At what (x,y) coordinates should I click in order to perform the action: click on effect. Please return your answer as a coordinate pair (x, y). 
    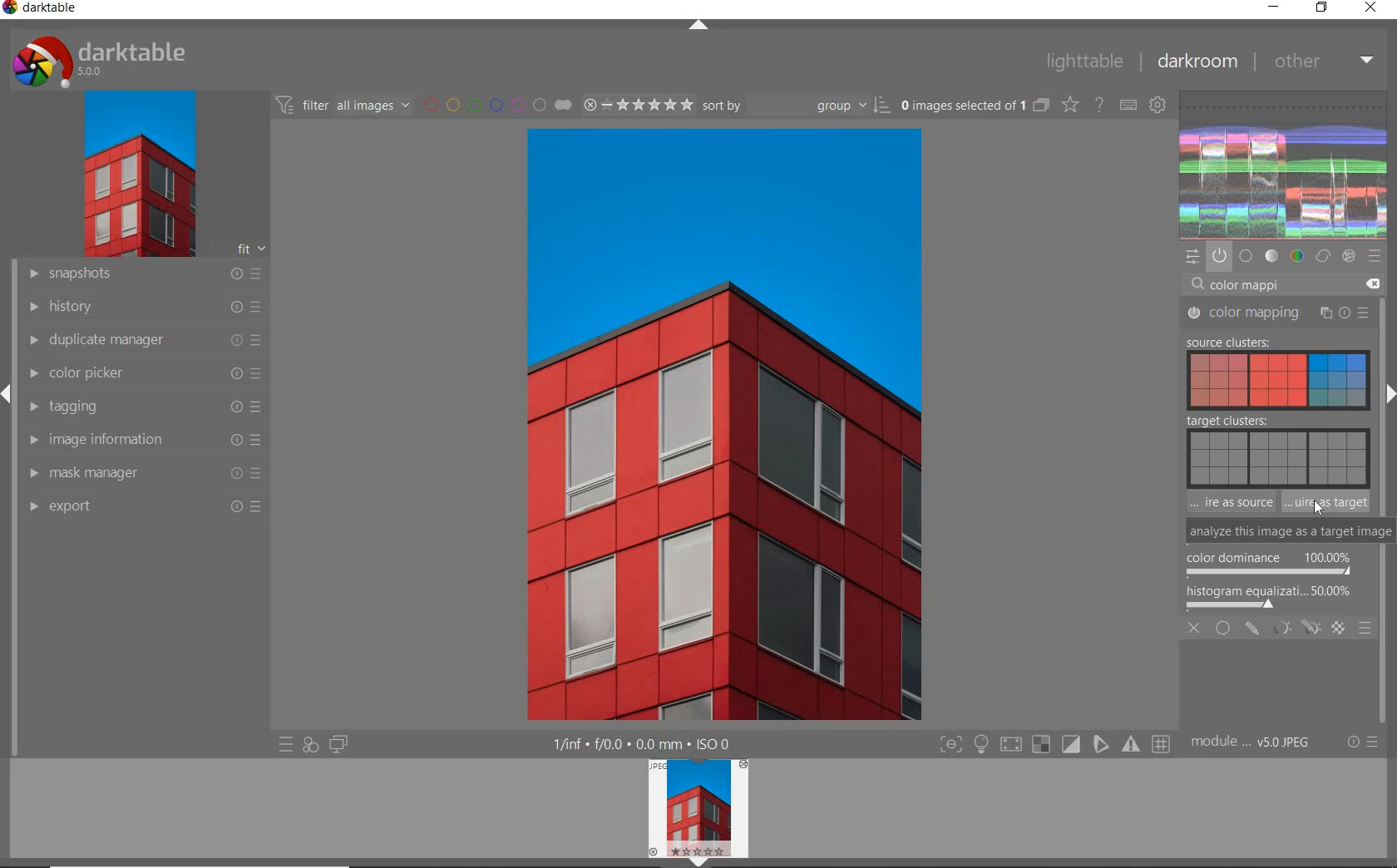
    Looking at the image, I should click on (1348, 257).